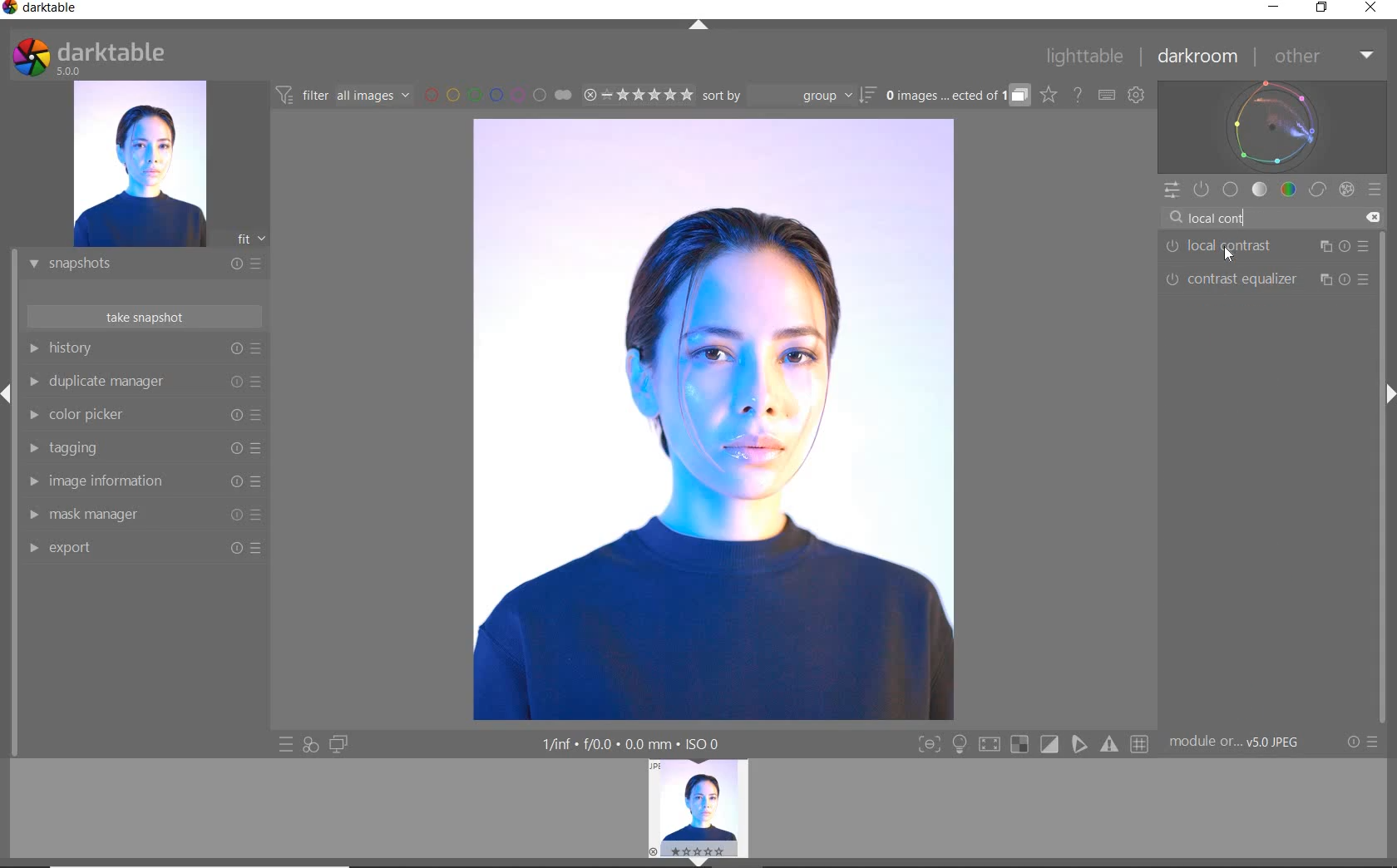  I want to click on CLICK TO CHANGE THE OVERLAYS SHOWN ON THUMBNAILS, so click(1049, 95).